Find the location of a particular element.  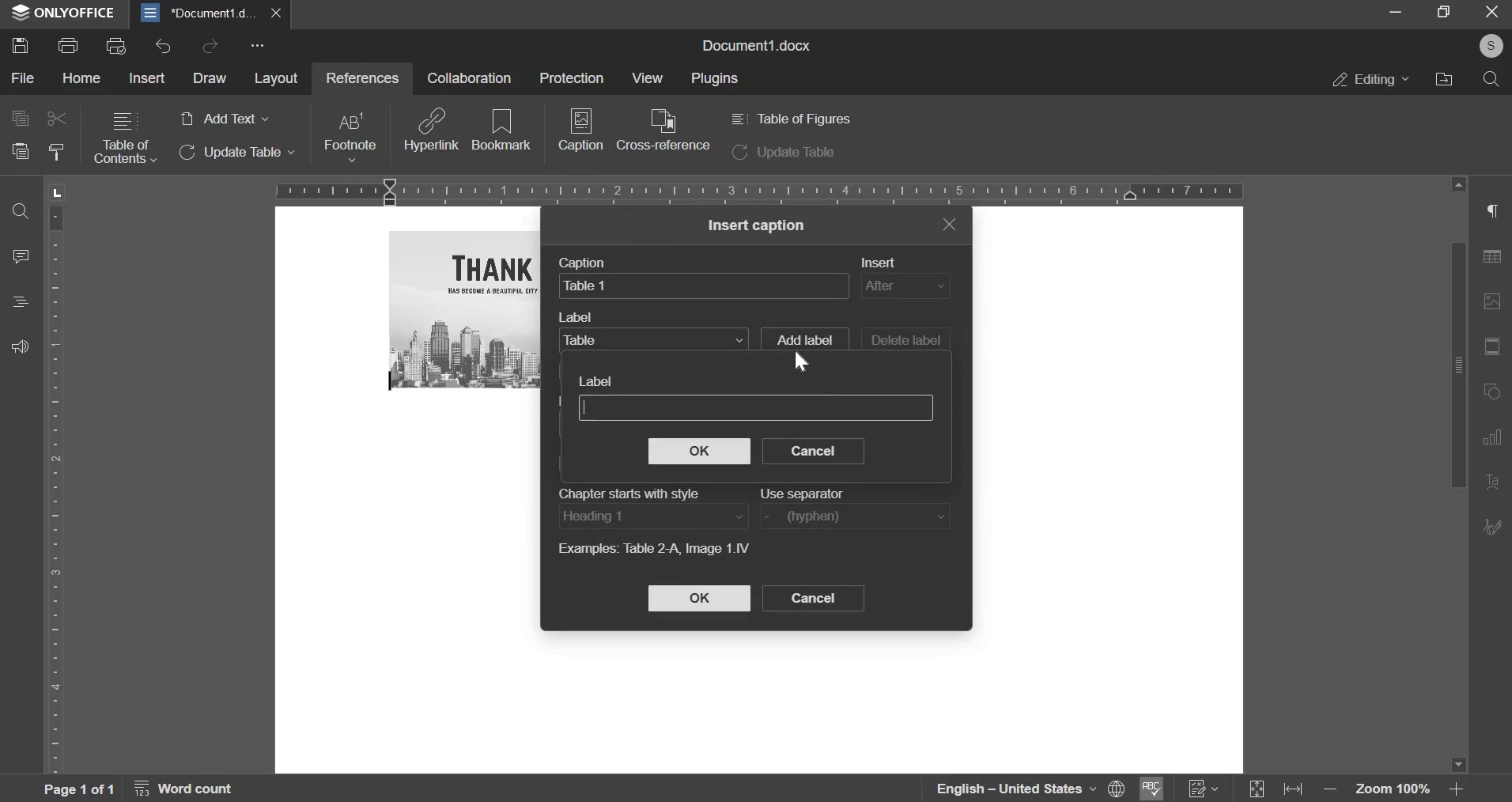

heading is located at coordinates (21, 301).